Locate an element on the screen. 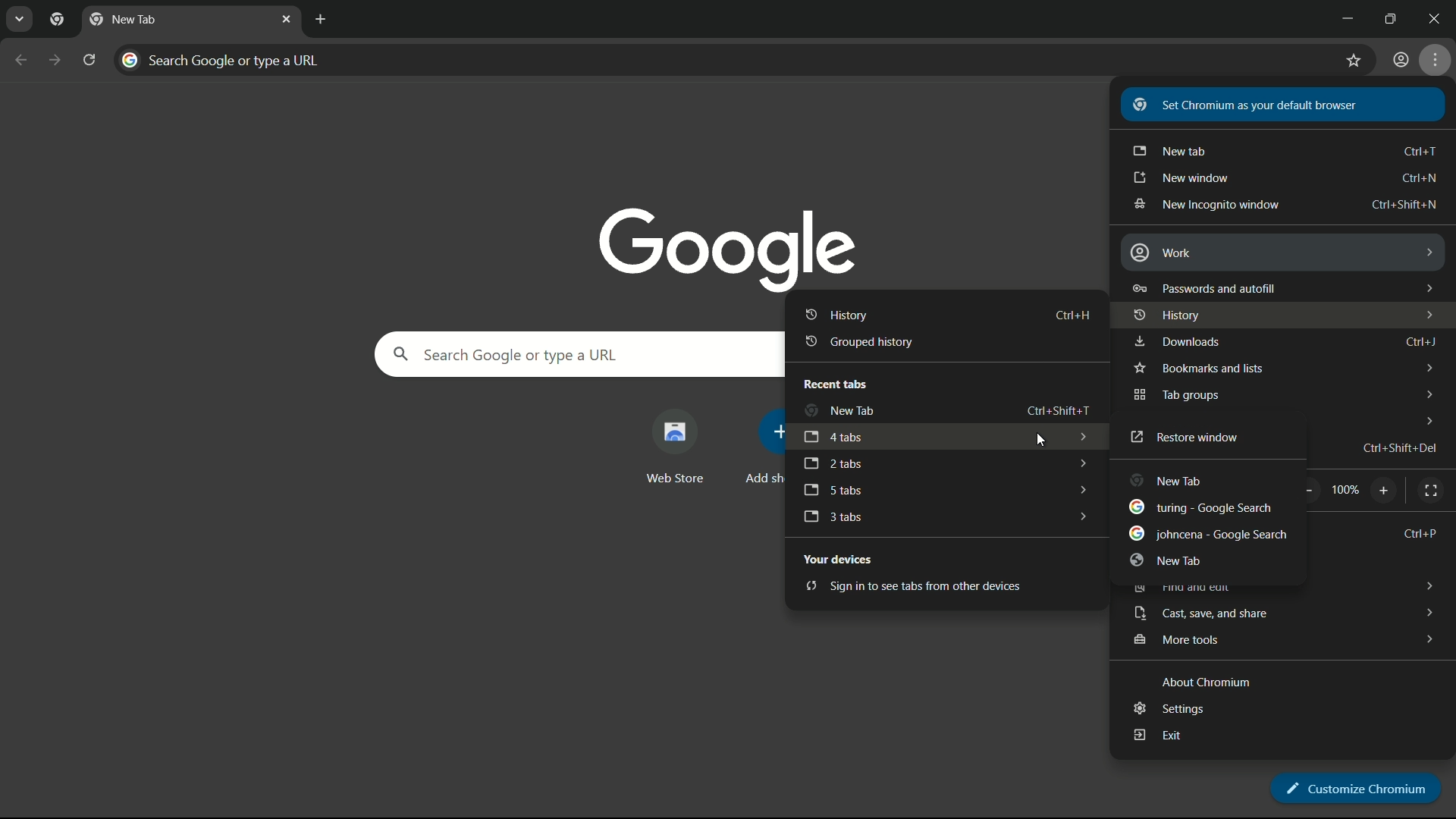 The image size is (1456, 819). 2 tabs is located at coordinates (833, 464).